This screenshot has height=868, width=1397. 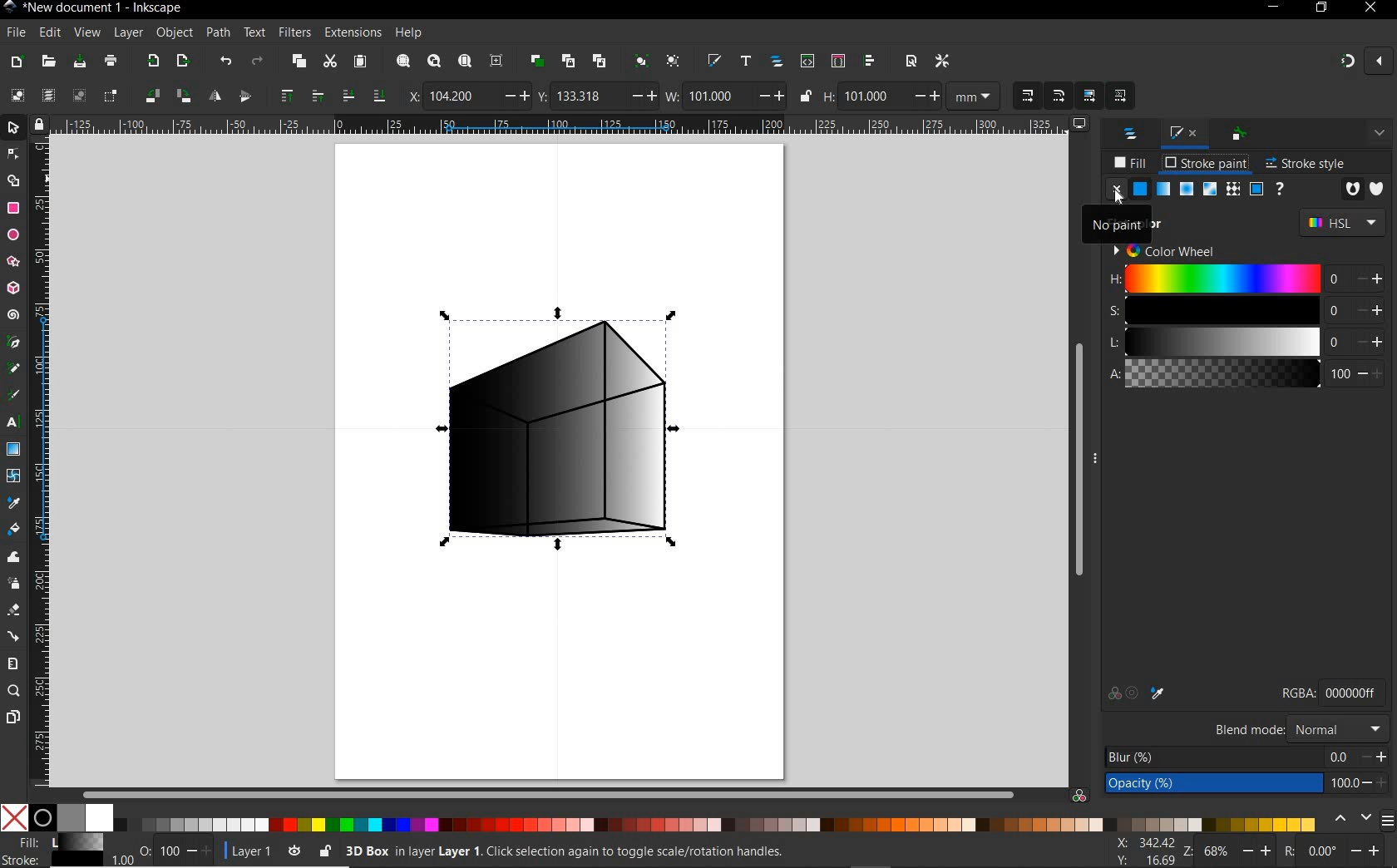 What do you see at coordinates (1138, 694) in the screenshot?
I see `color options` at bounding box center [1138, 694].